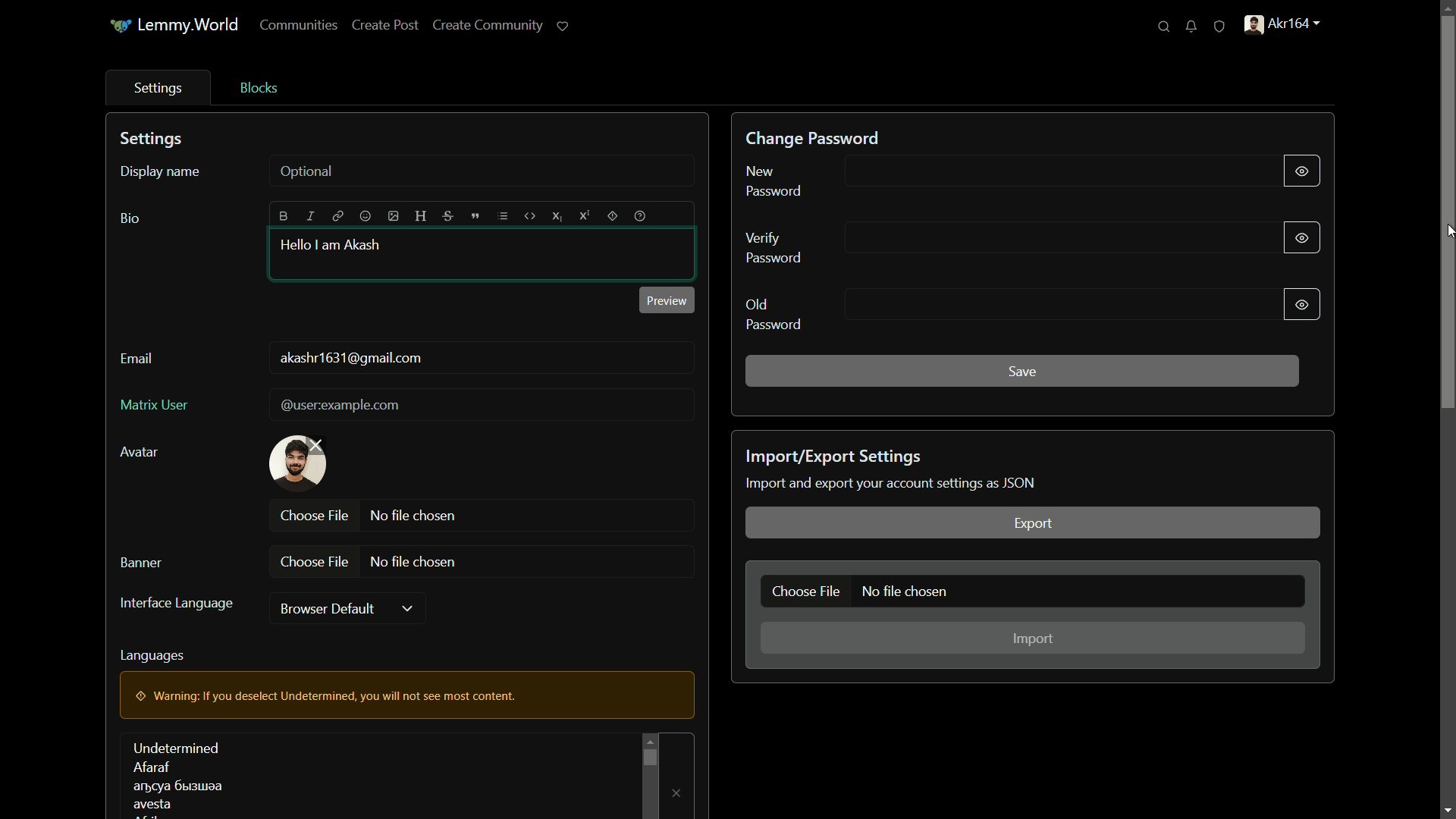 This screenshot has height=819, width=1456. What do you see at coordinates (334, 246) in the screenshot?
I see `hello i am akash` at bounding box center [334, 246].